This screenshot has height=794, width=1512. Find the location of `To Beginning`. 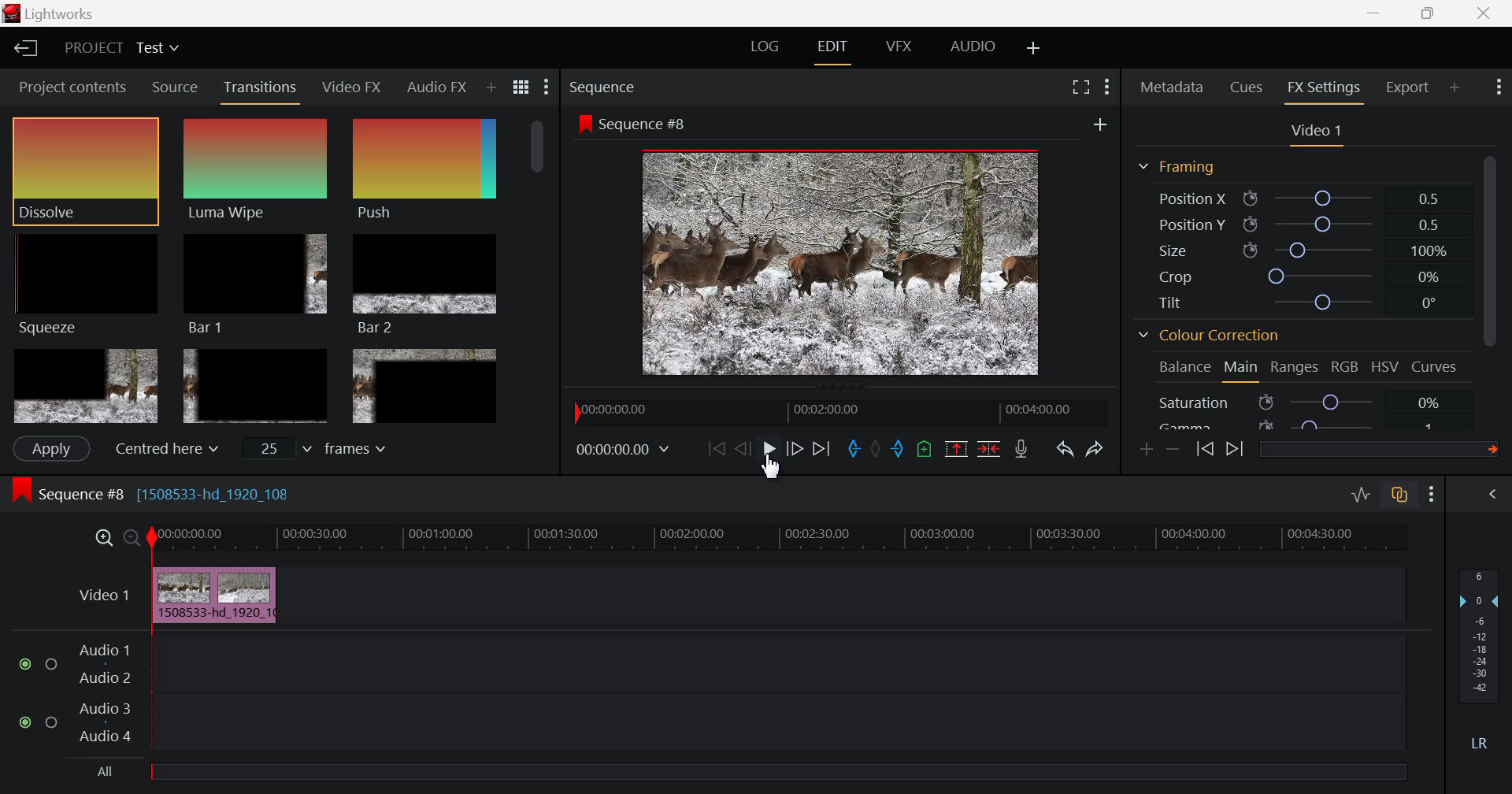

To Beginning is located at coordinates (714, 450).